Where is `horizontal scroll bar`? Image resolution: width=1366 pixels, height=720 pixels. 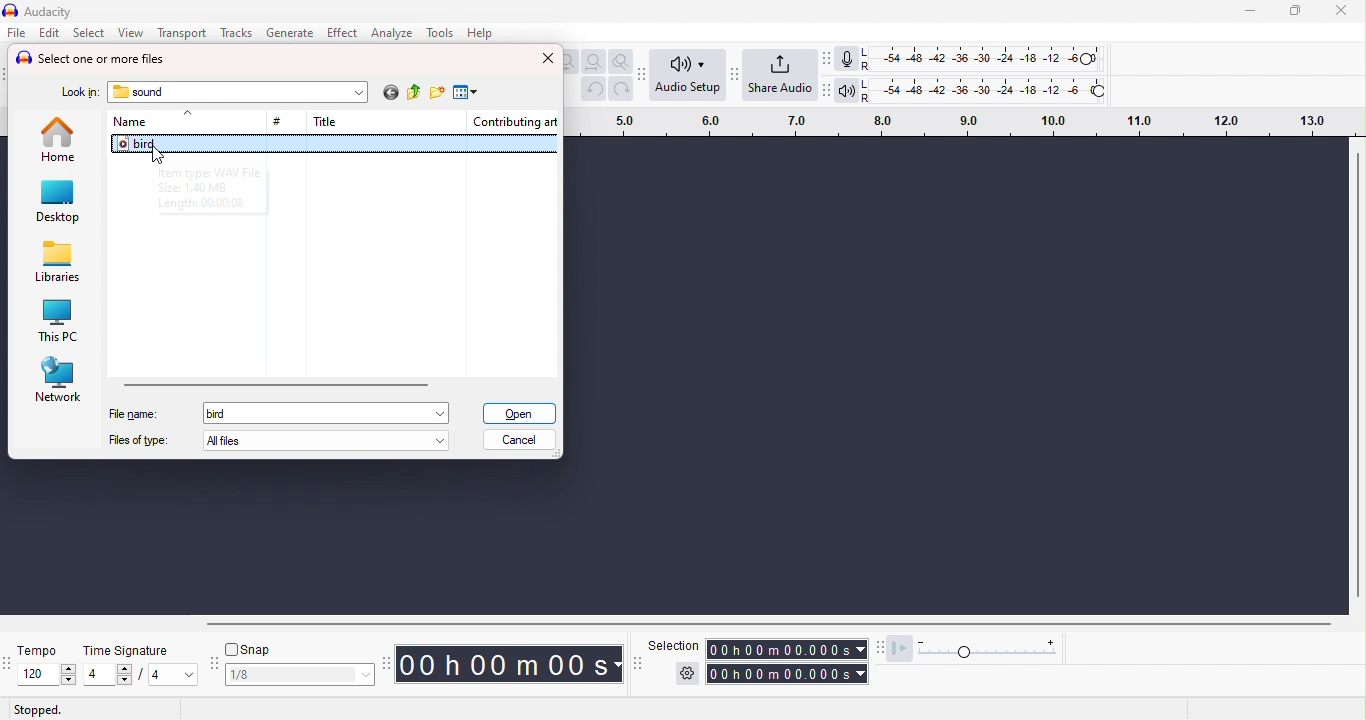 horizontal scroll bar is located at coordinates (277, 382).